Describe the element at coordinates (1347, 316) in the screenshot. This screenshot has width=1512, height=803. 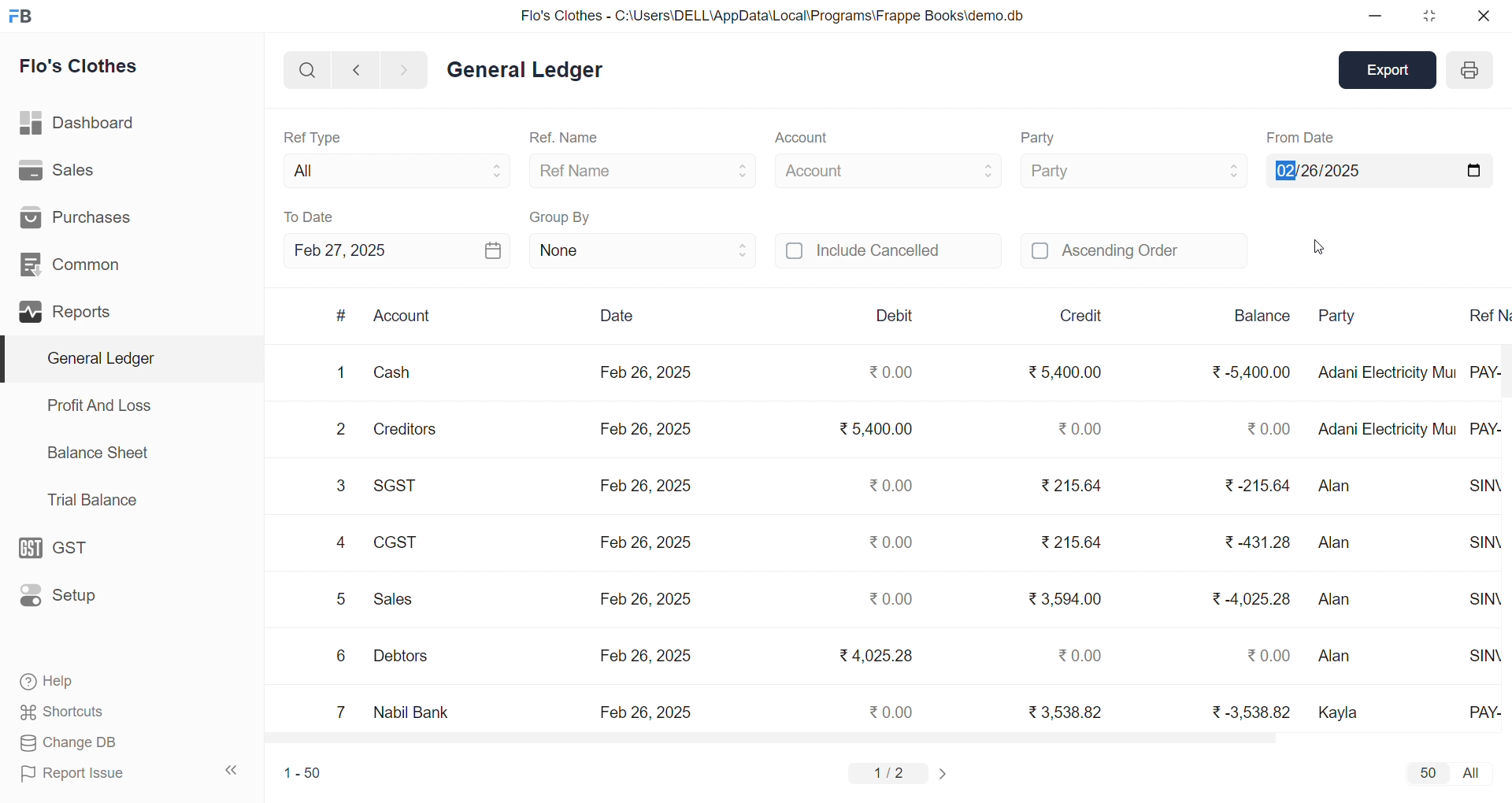
I see `Party` at that location.